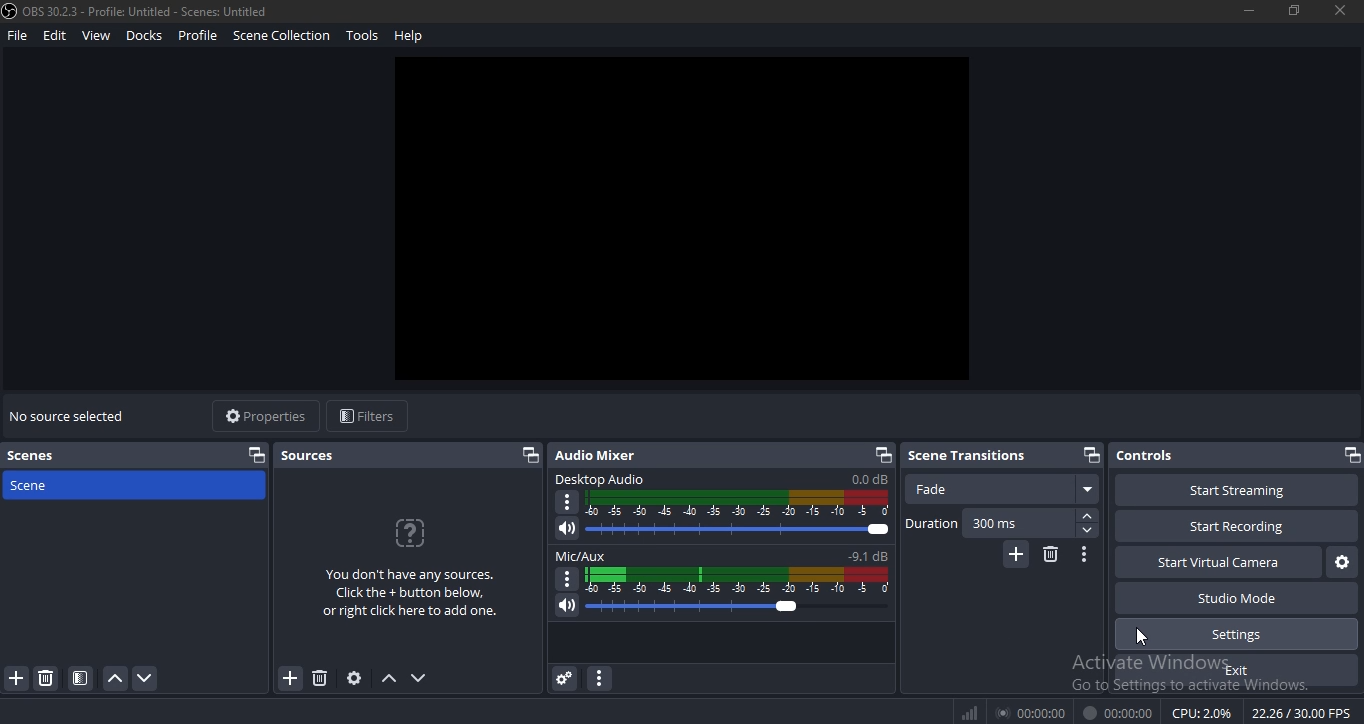  I want to click on sources, so click(313, 454).